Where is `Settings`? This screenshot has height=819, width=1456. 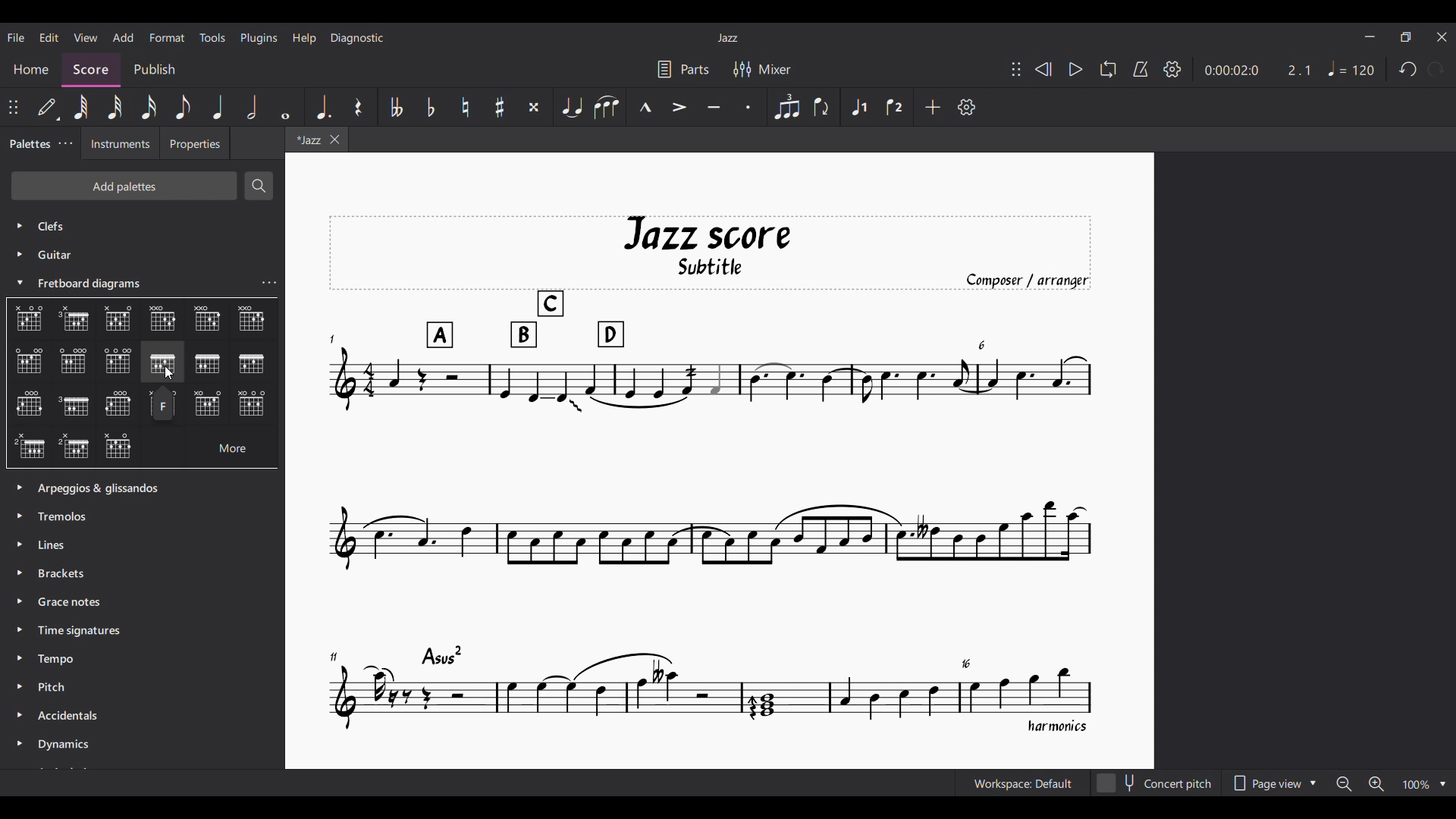 Settings is located at coordinates (1172, 70).